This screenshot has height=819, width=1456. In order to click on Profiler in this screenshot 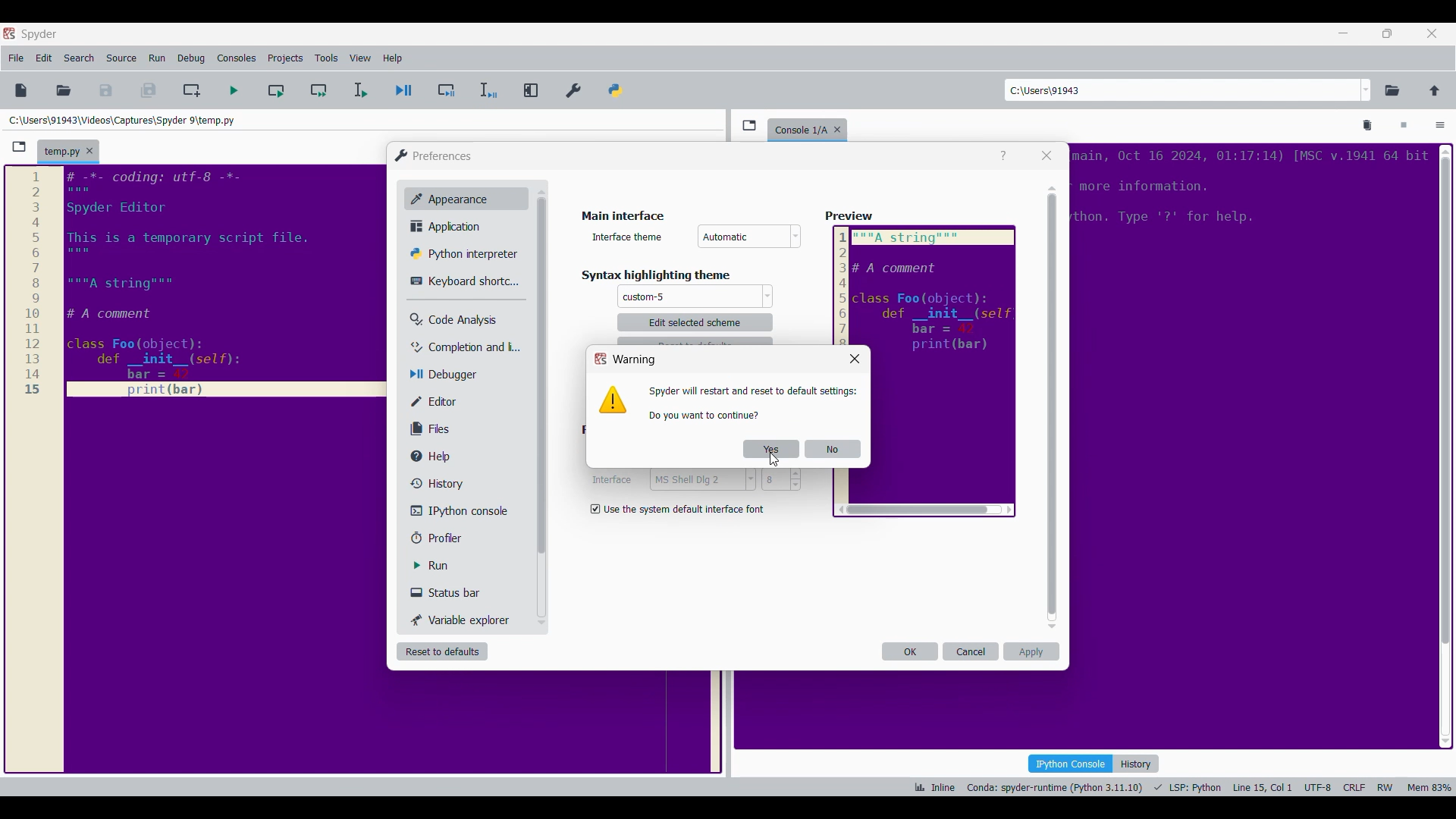, I will do `click(466, 537)`.